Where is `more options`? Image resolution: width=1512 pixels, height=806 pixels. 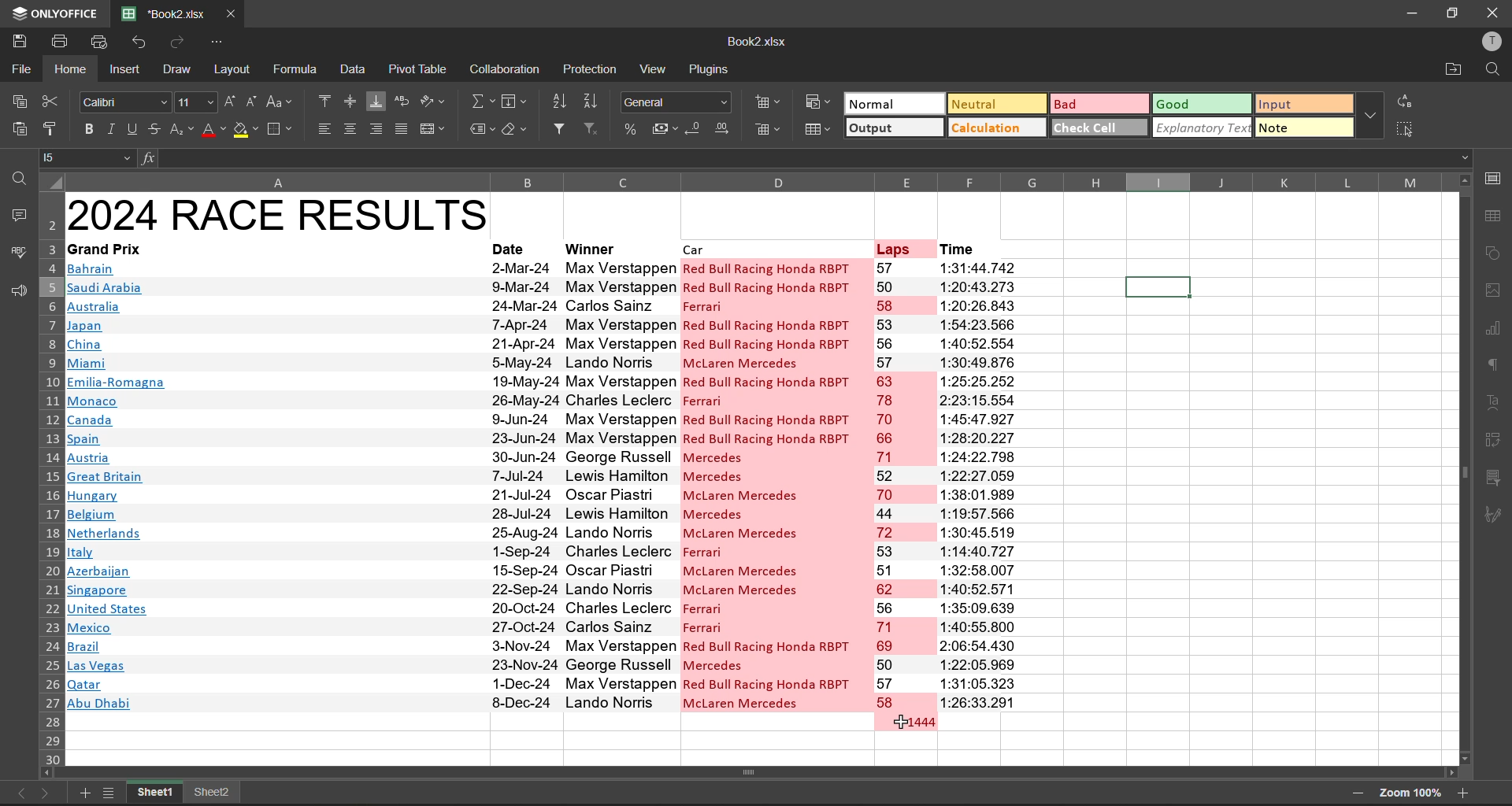 more options is located at coordinates (1372, 116).